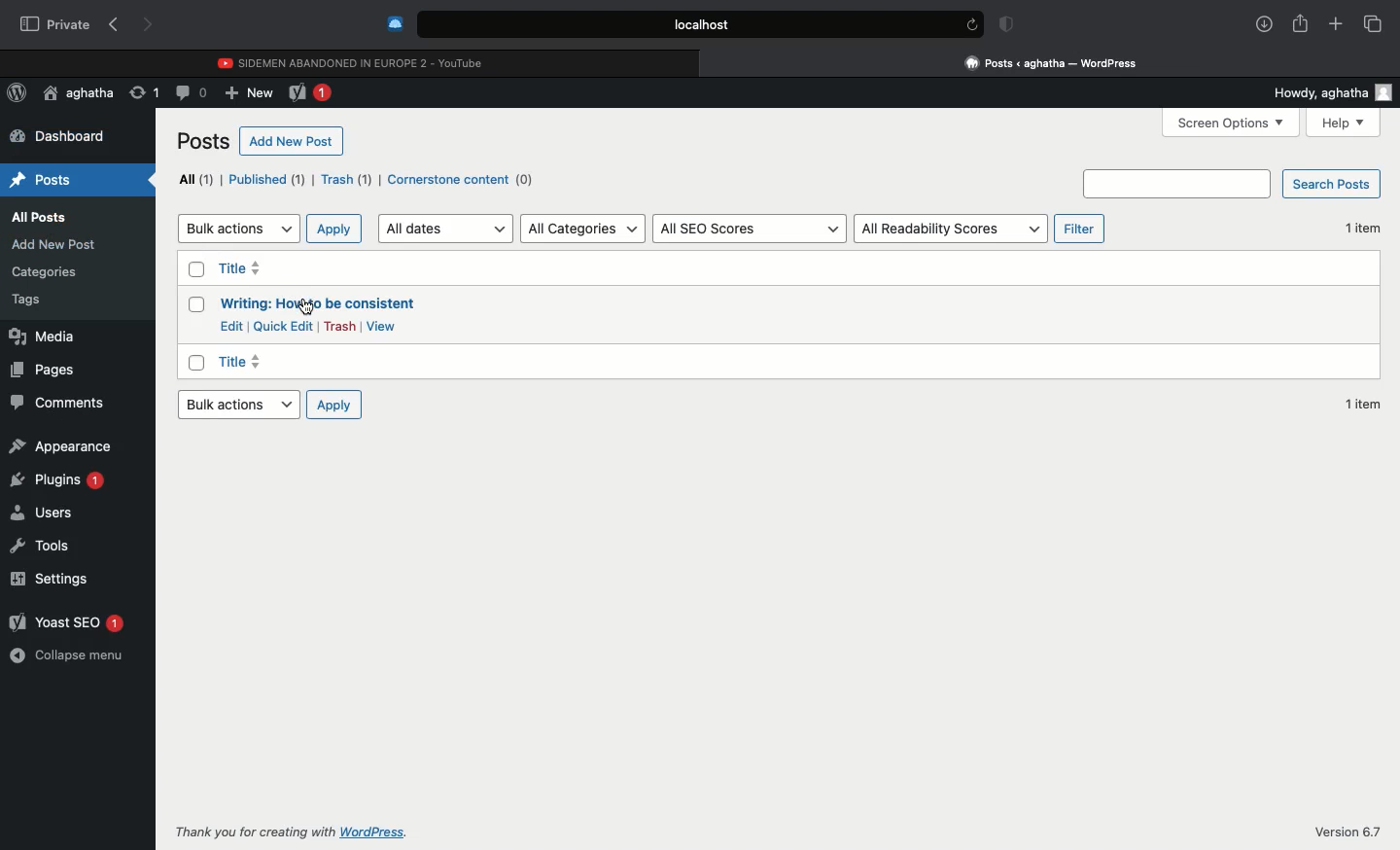 This screenshot has width=1400, height=850. I want to click on Apply, so click(333, 406).